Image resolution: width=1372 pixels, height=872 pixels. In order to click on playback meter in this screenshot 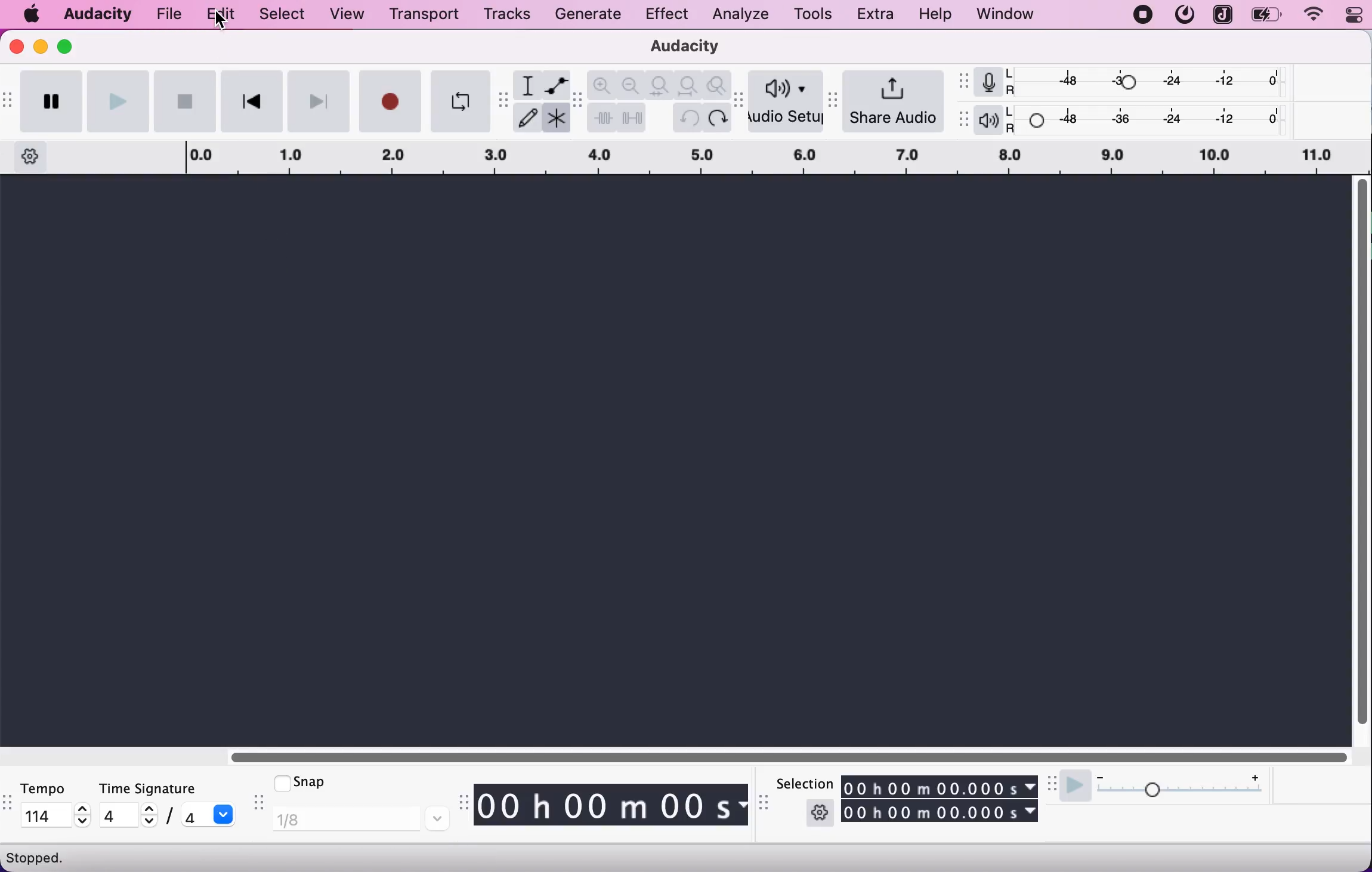, I will do `click(988, 120)`.